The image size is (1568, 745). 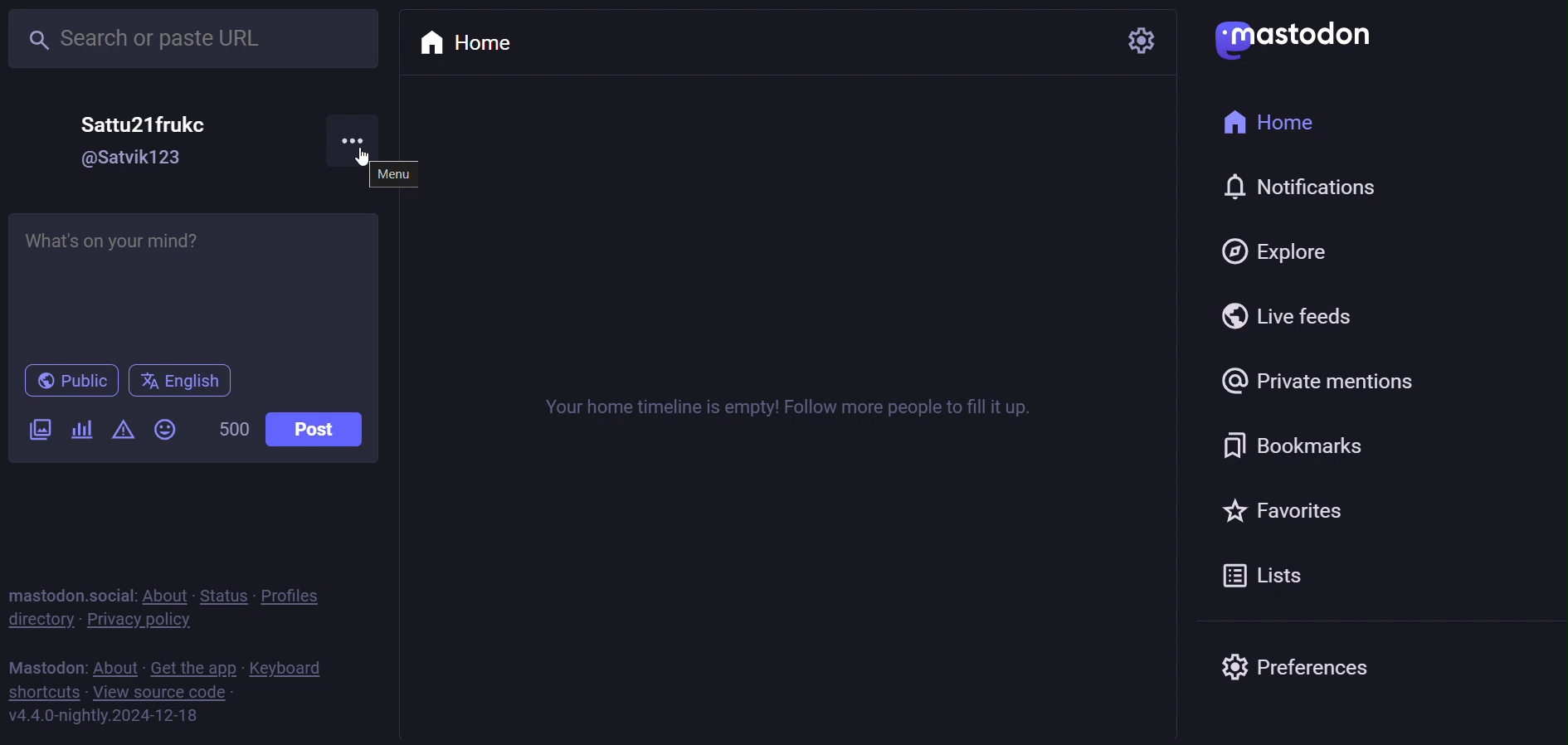 What do you see at coordinates (1312, 516) in the screenshot?
I see `favorites` at bounding box center [1312, 516].